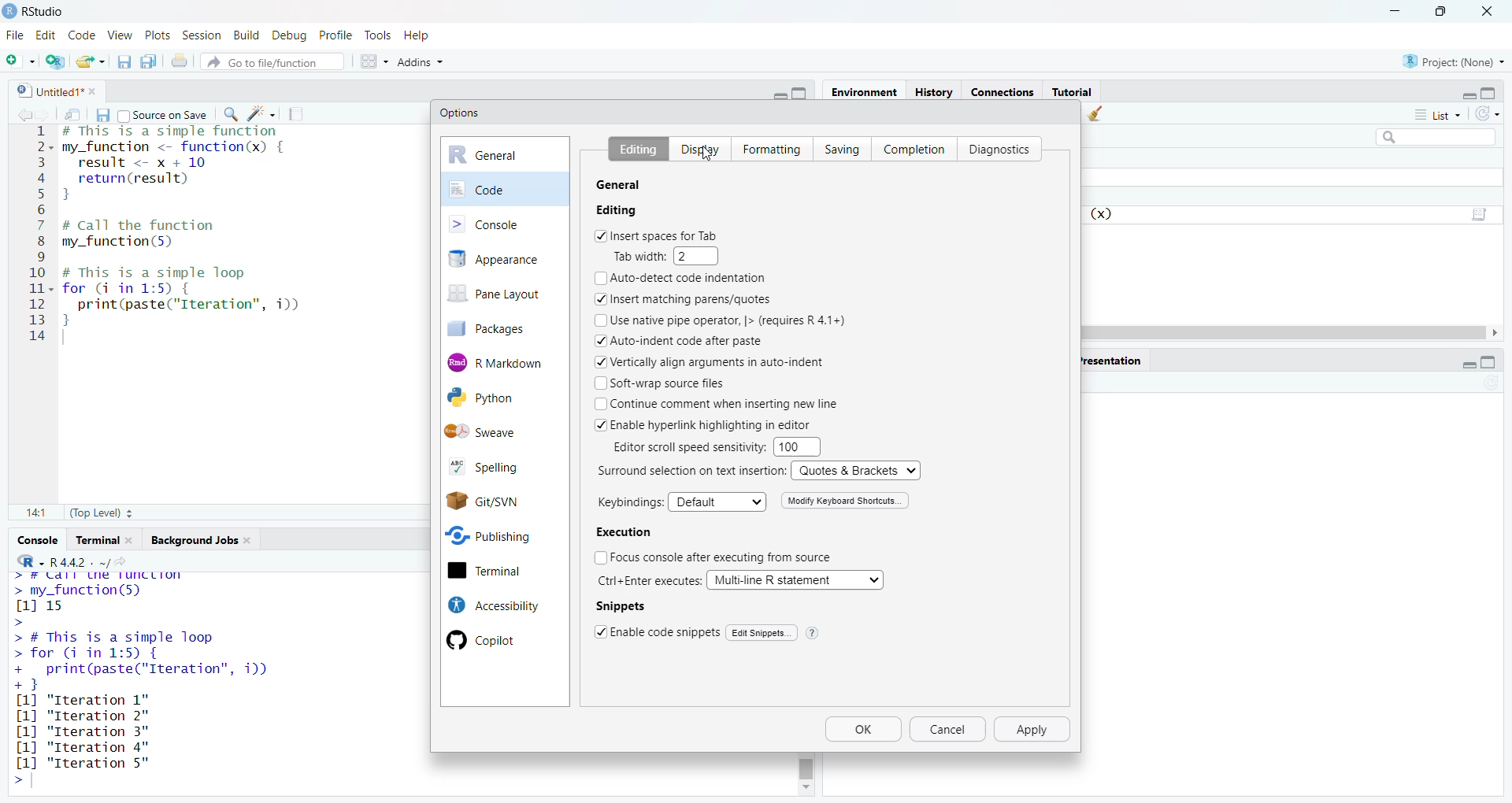 The width and height of the screenshot is (1512, 803). Describe the element at coordinates (505, 223) in the screenshot. I see `console` at that location.